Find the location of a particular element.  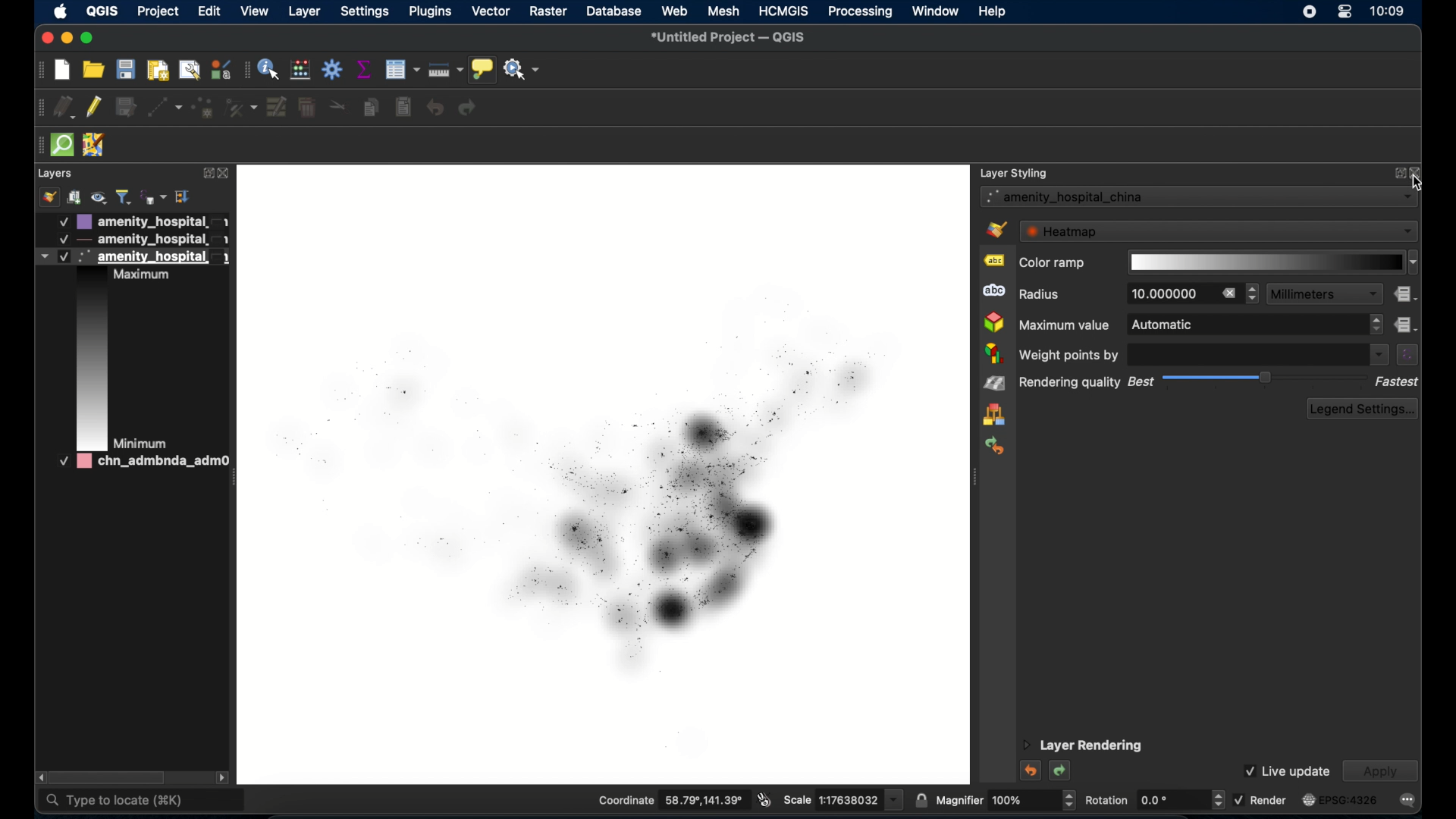

scroll left arrow is located at coordinates (36, 776).